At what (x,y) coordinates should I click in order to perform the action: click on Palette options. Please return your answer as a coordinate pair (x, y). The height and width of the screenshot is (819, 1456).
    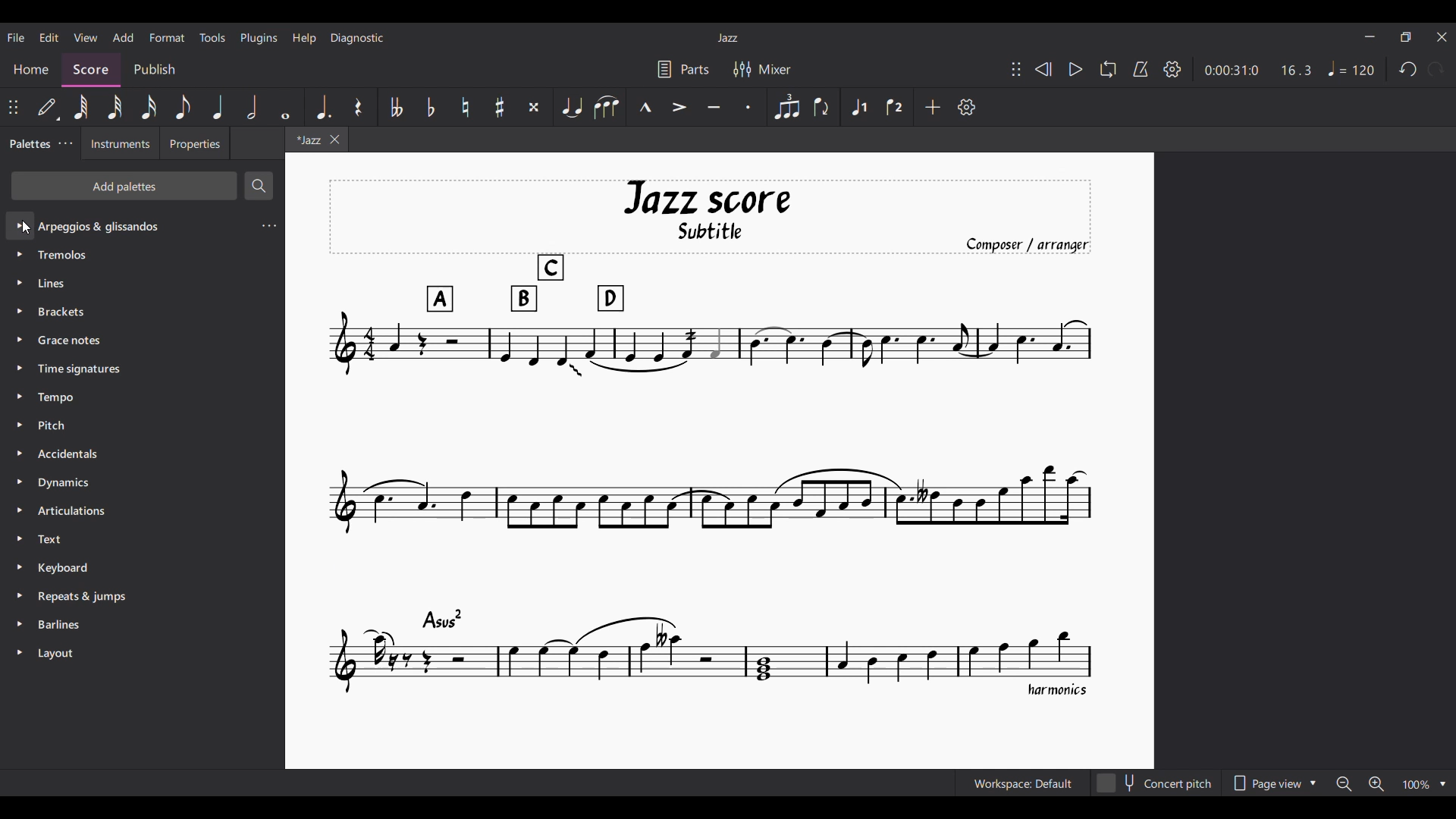
    Looking at the image, I should click on (118, 226).